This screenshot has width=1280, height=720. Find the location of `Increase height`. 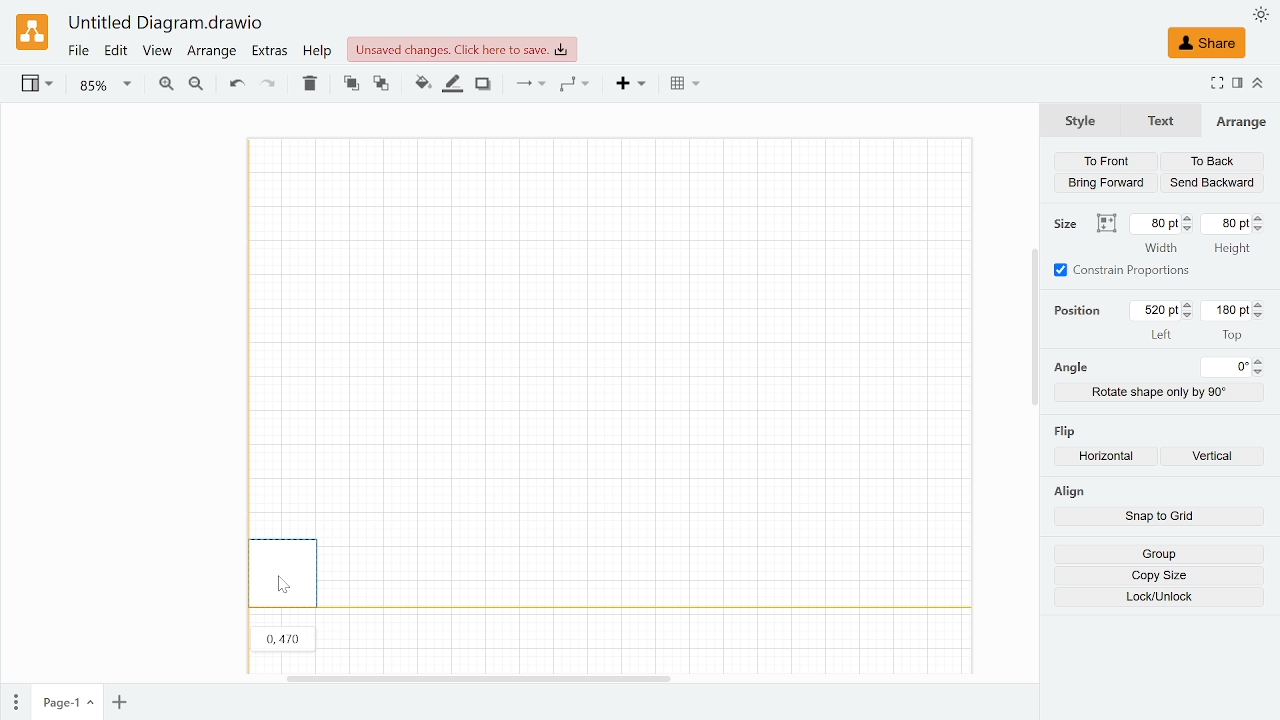

Increase height is located at coordinates (1262, 217).